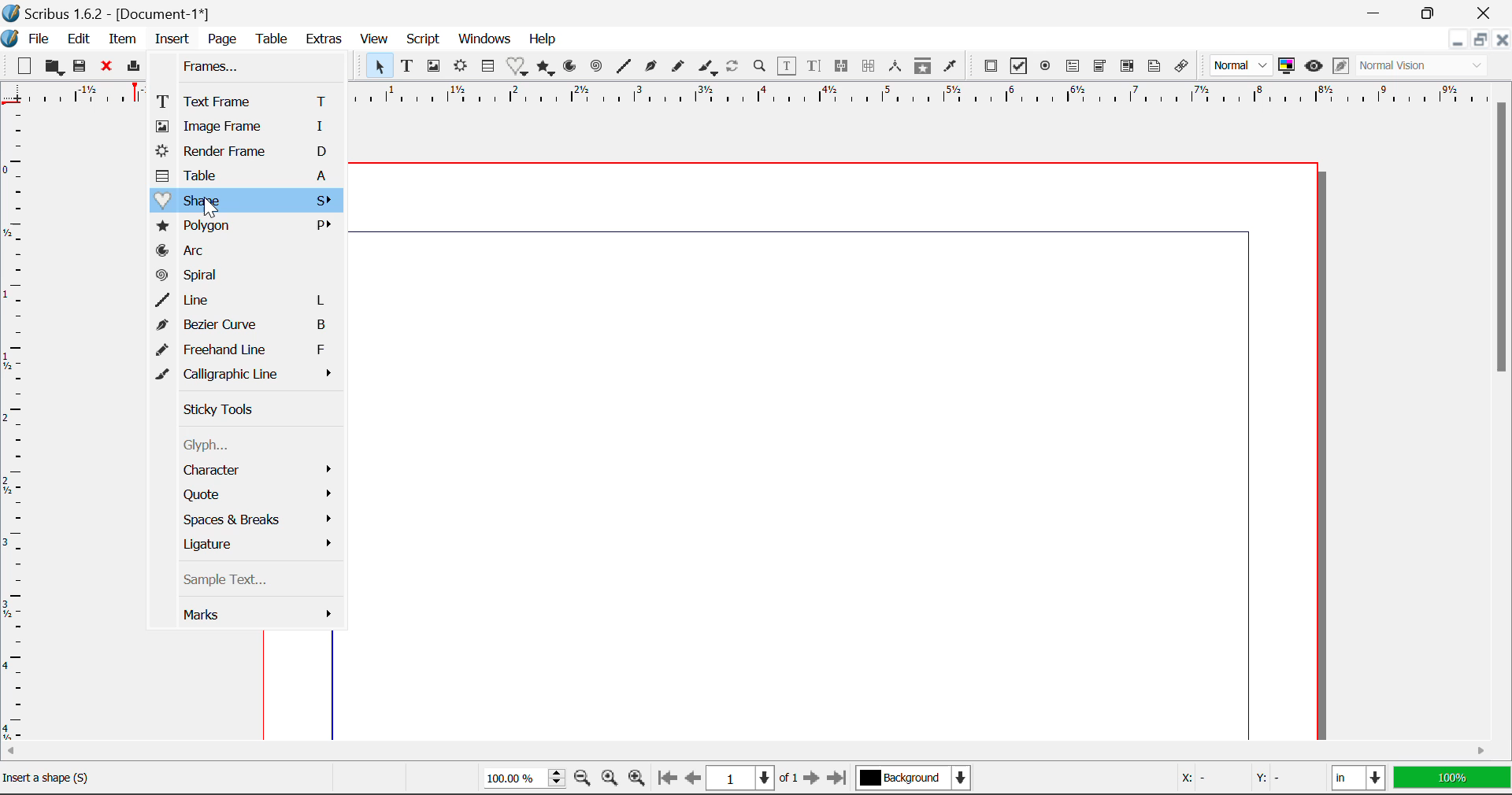 This screenshot has width=1512, height=795. I want to click on Minimize, so click(1436, 13).